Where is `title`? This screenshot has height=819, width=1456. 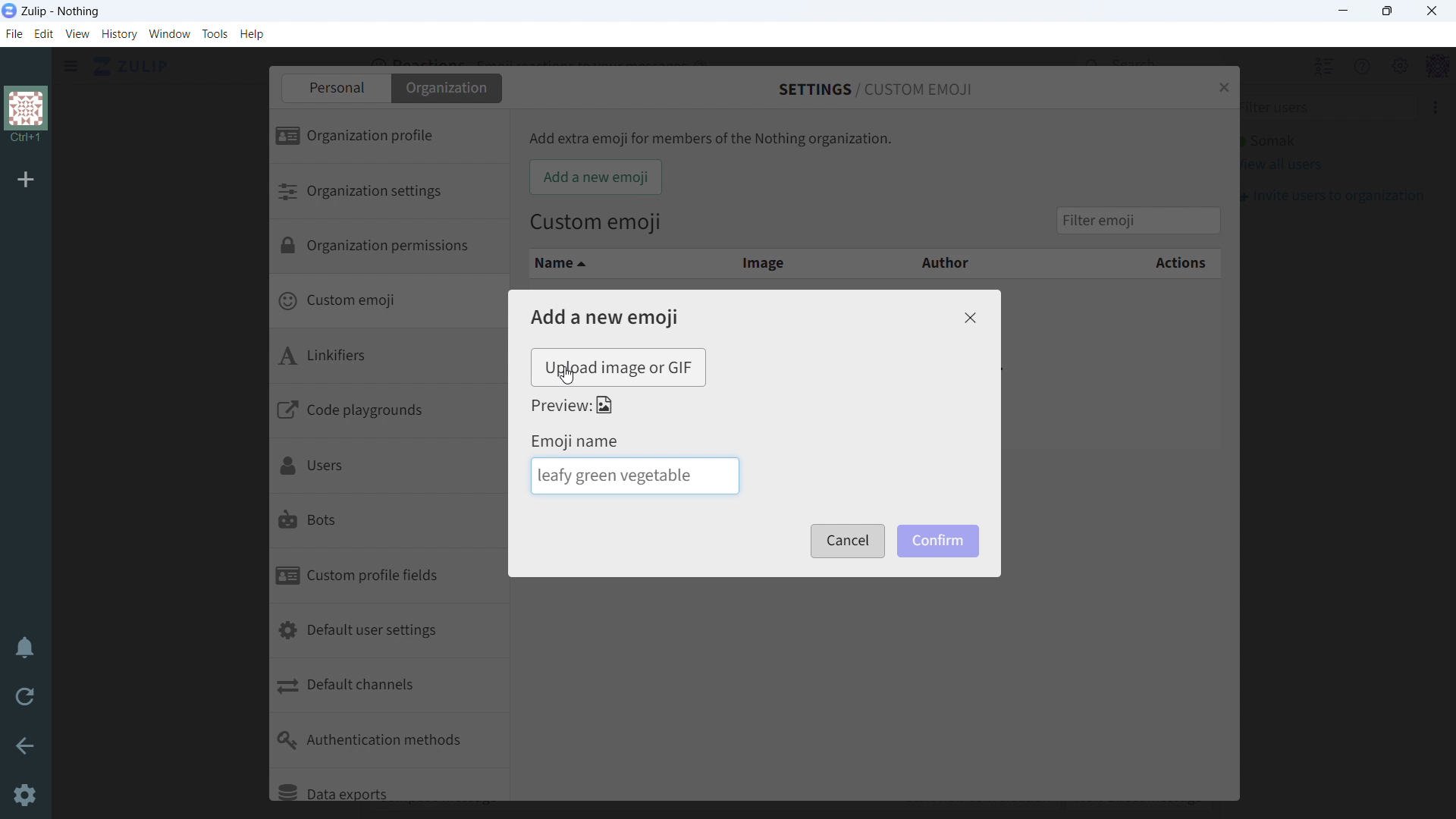
title is located at coordinates (61, 12).